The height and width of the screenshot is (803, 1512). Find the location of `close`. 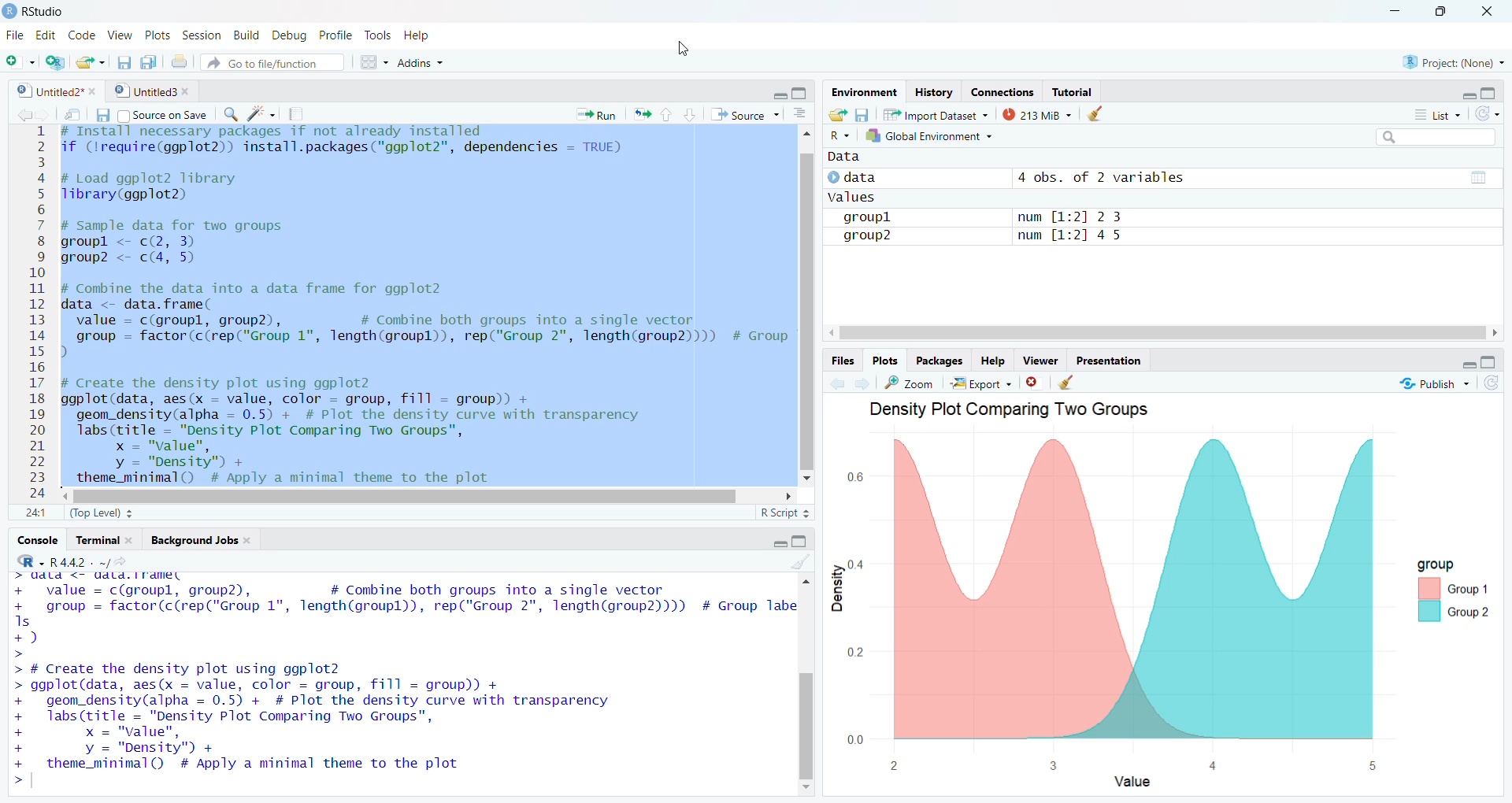

close is located at coordinates (1037, 381).